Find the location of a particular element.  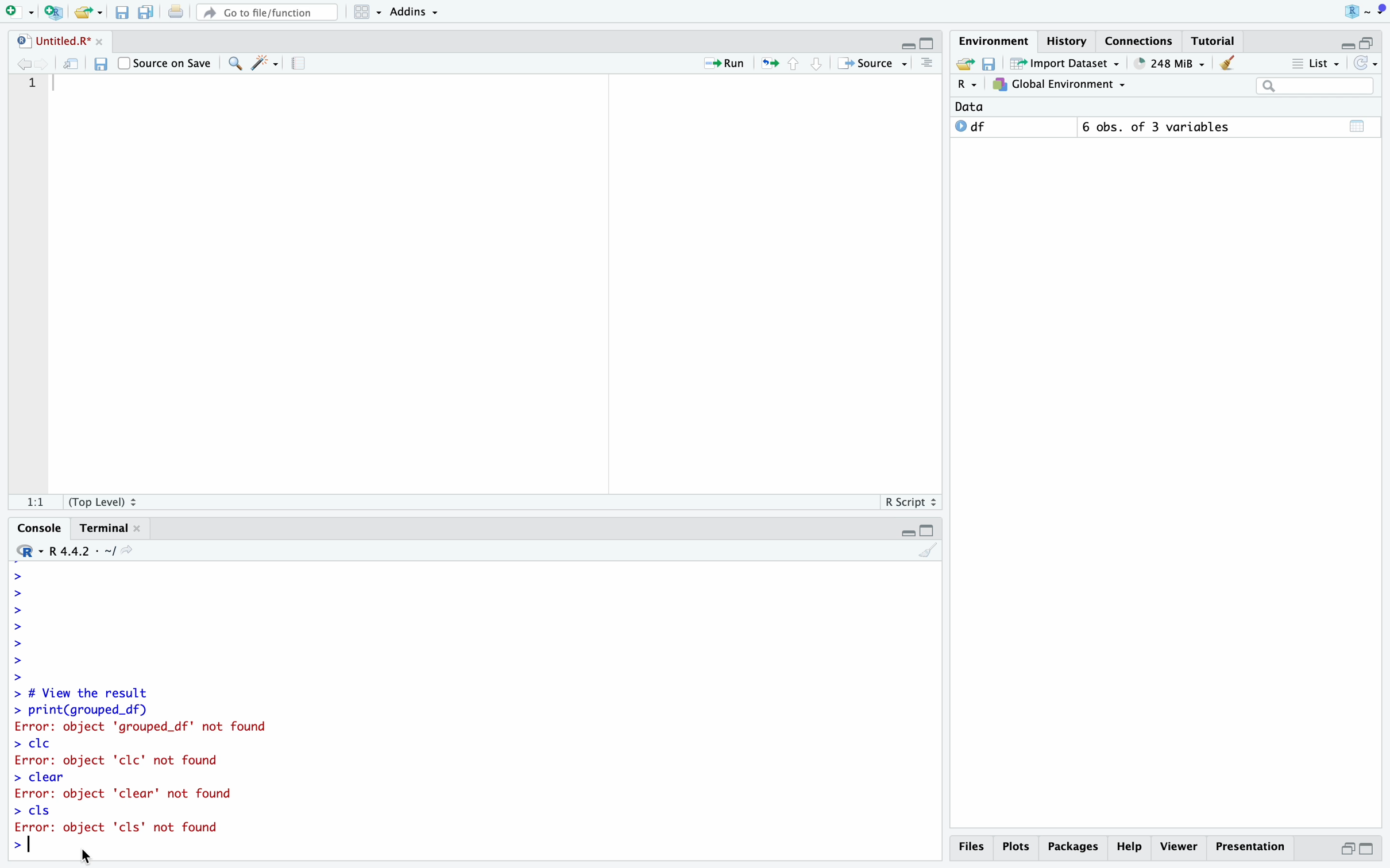

Go to previous section is located at coordinates (794, 62).